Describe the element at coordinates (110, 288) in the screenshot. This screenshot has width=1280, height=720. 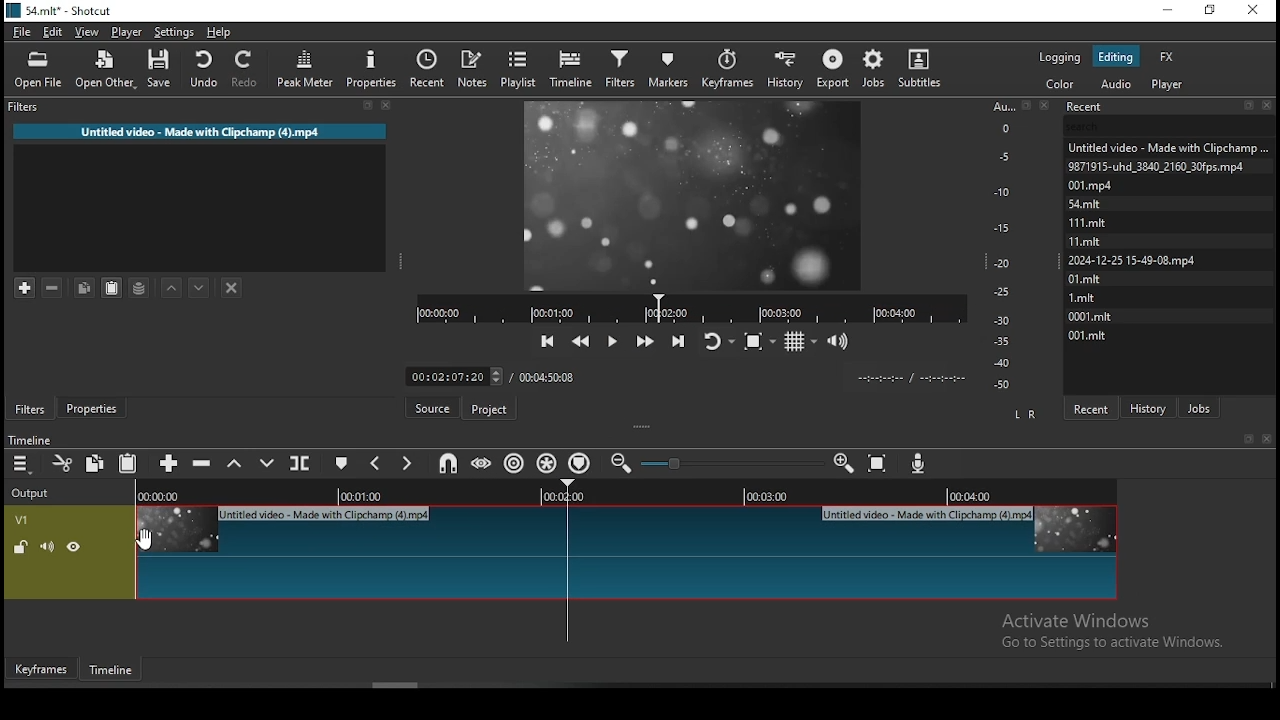
I see `paste` at that location.